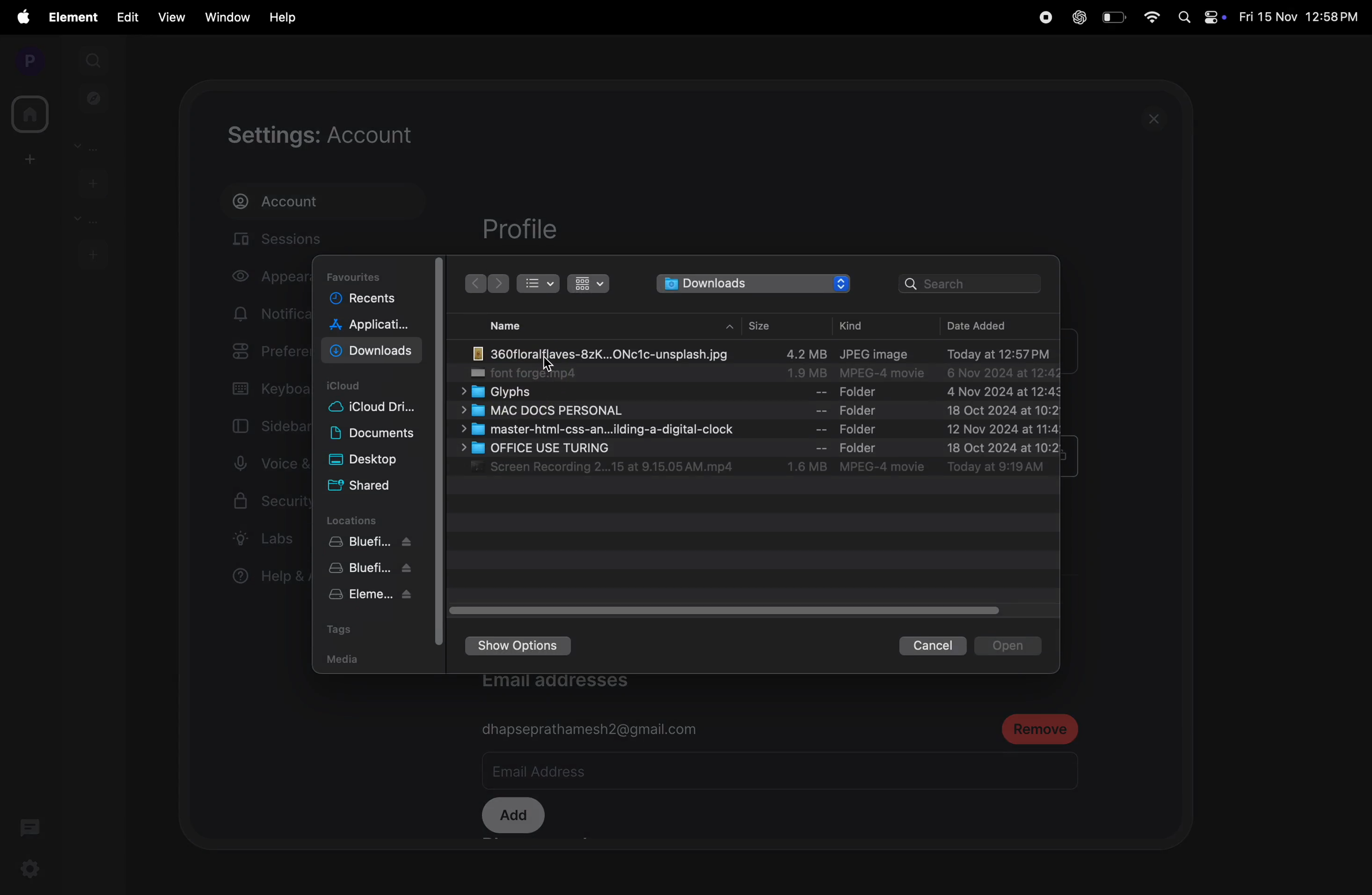  I want to click on elemet apk, so click(374, 596).